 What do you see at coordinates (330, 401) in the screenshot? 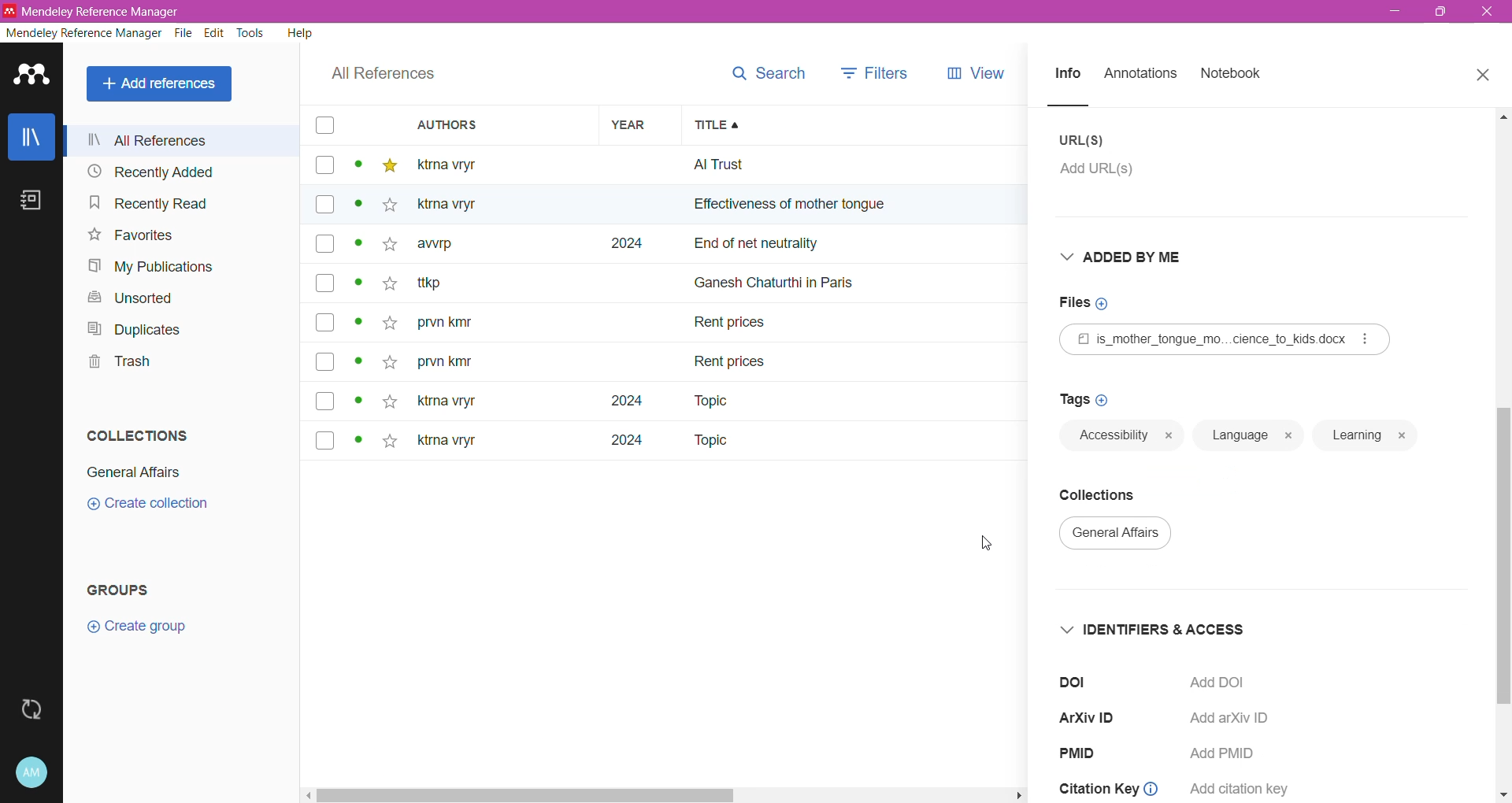
I see `box` at bounding box center [330, 401].